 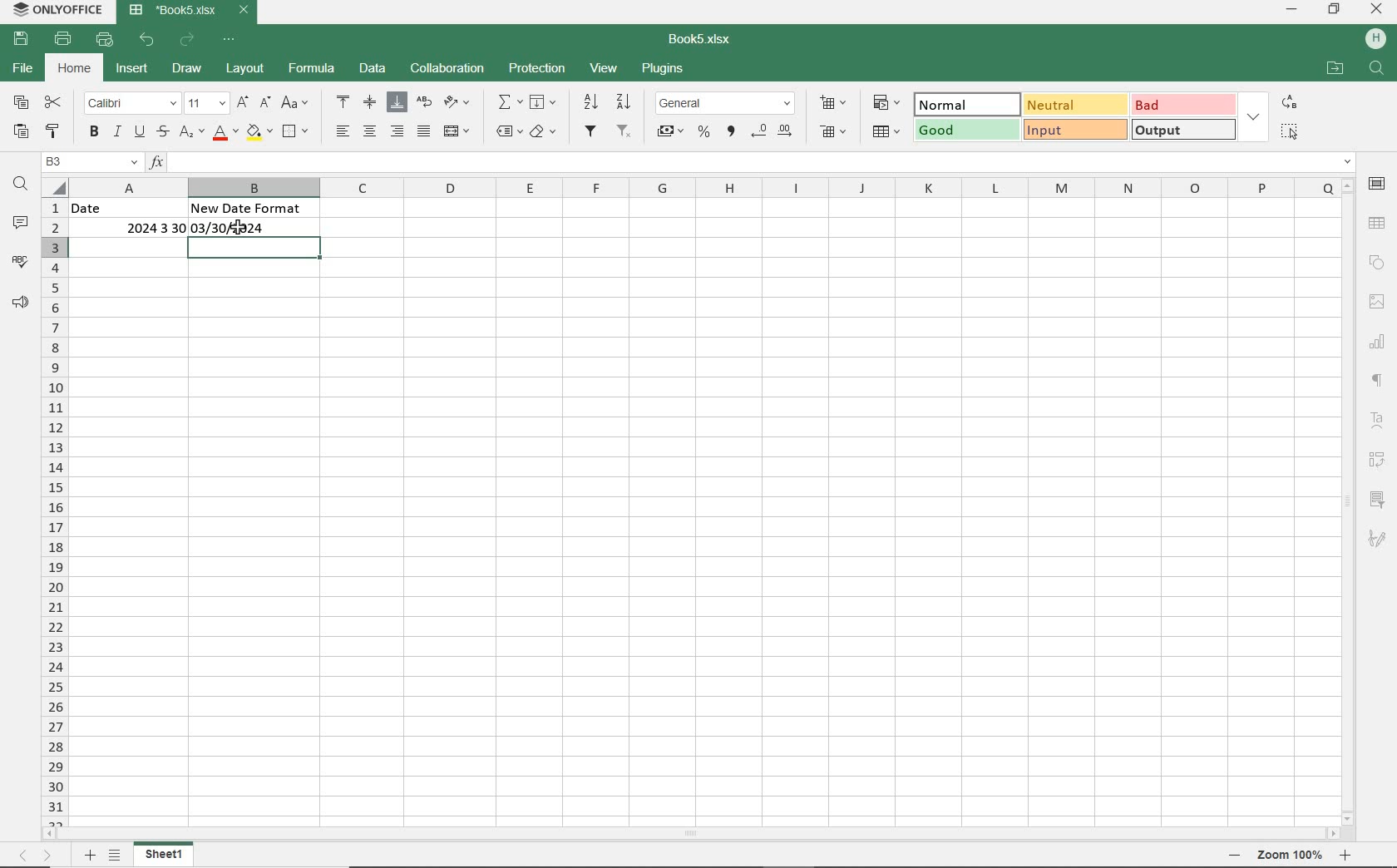 What do you see at coordinates (833, 104) in the screenshot?
I see `INSERT CELLS` at bounding box center [833, 104].